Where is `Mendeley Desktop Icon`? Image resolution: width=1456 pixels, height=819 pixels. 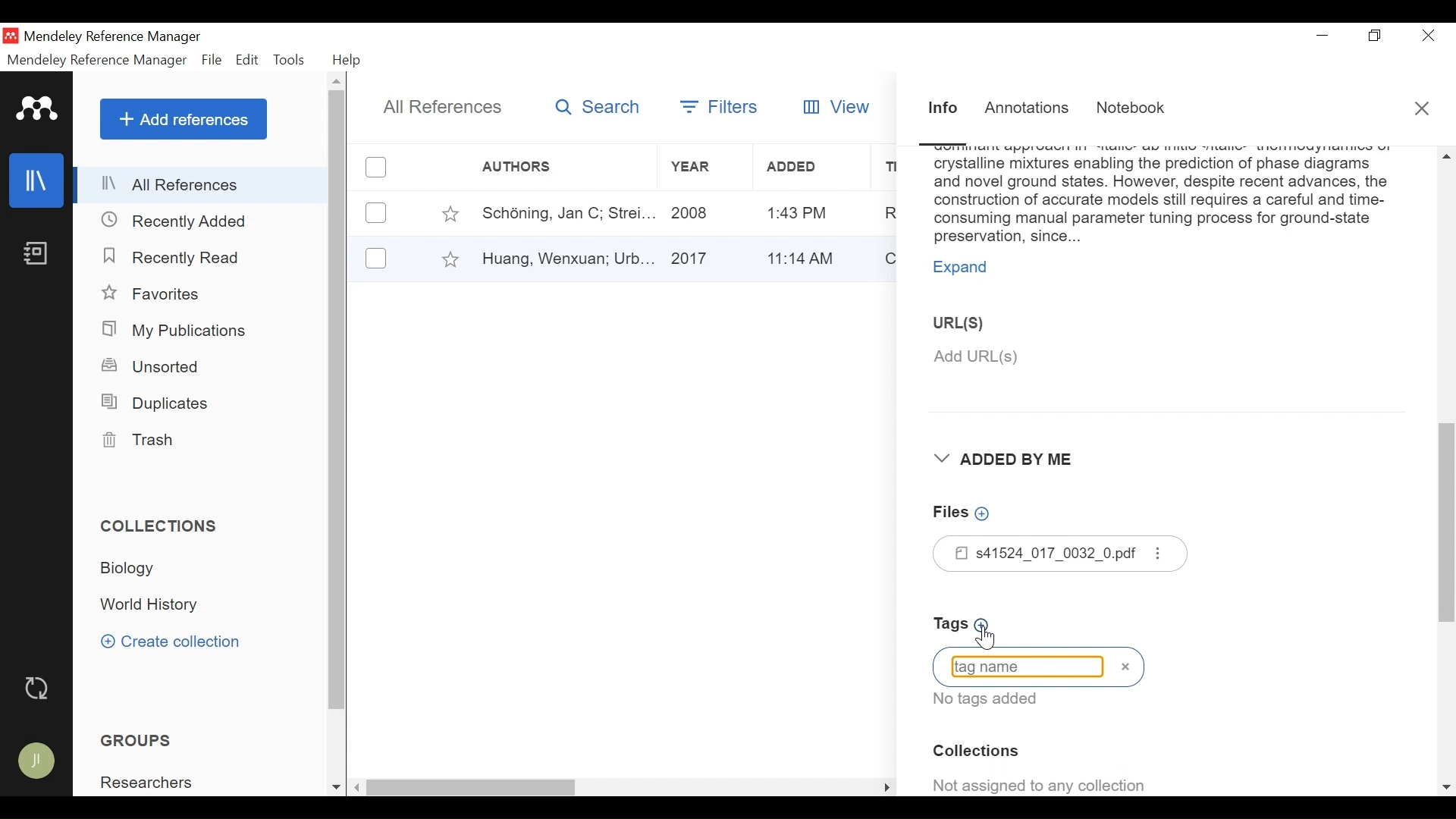
Mendeley Desktop Icon is located at coordinates (10, 36).